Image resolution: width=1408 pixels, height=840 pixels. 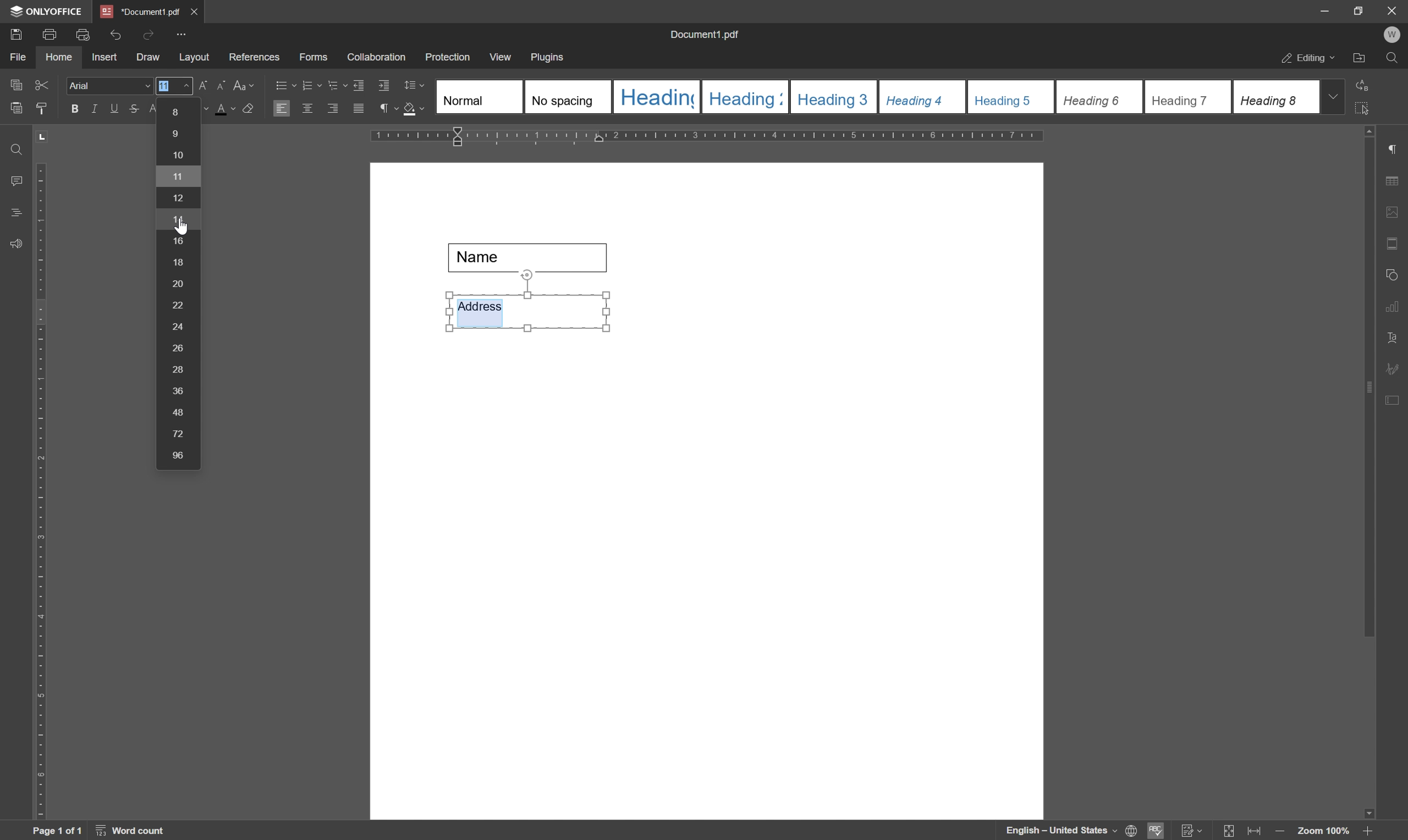 What do you see at coordinates (57, 831) in the screenshot?
I see `page 1 of 1` at bounding box center [57, 831].